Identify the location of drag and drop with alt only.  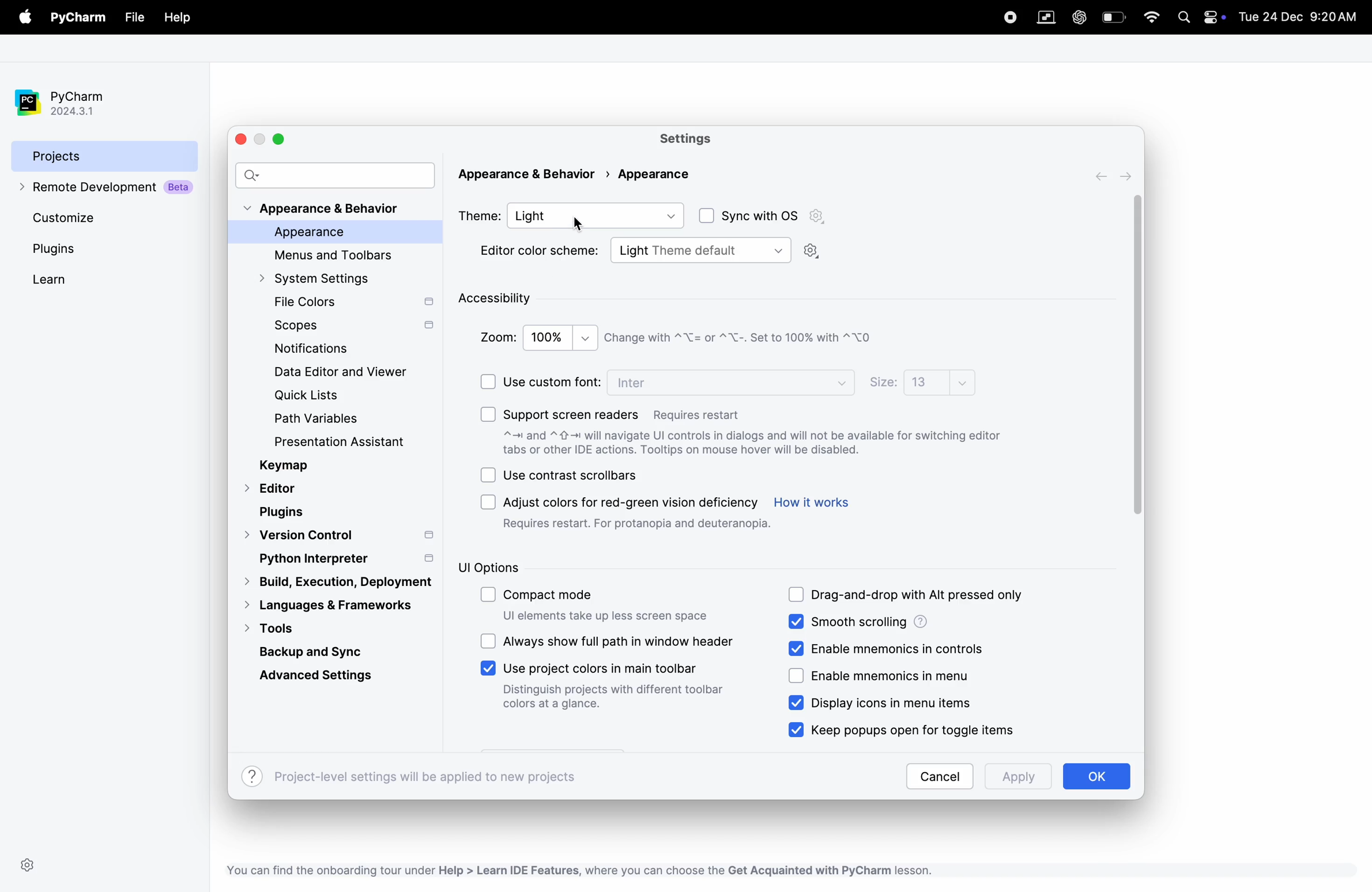
(922, 596).